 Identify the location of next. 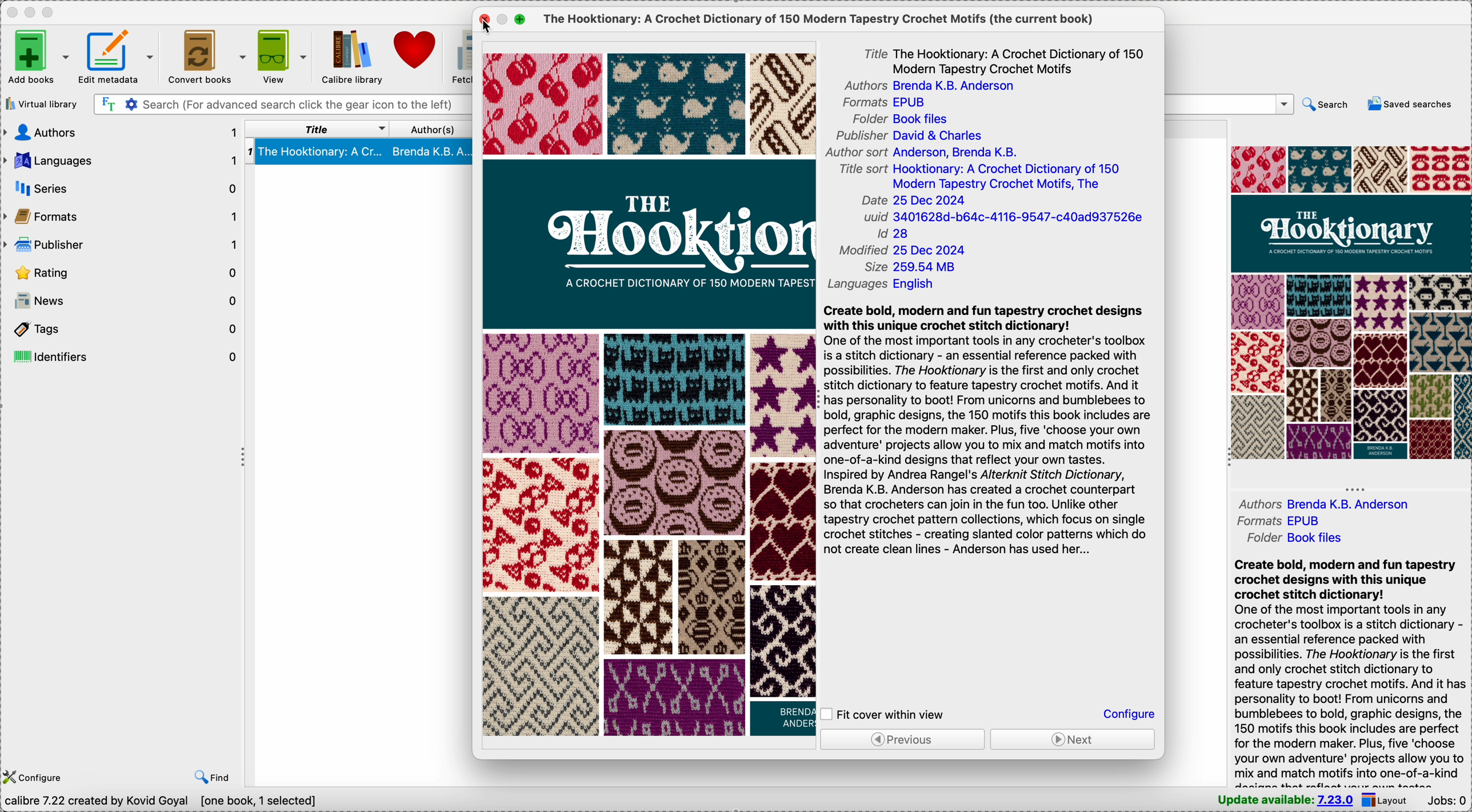
(1075, 740).